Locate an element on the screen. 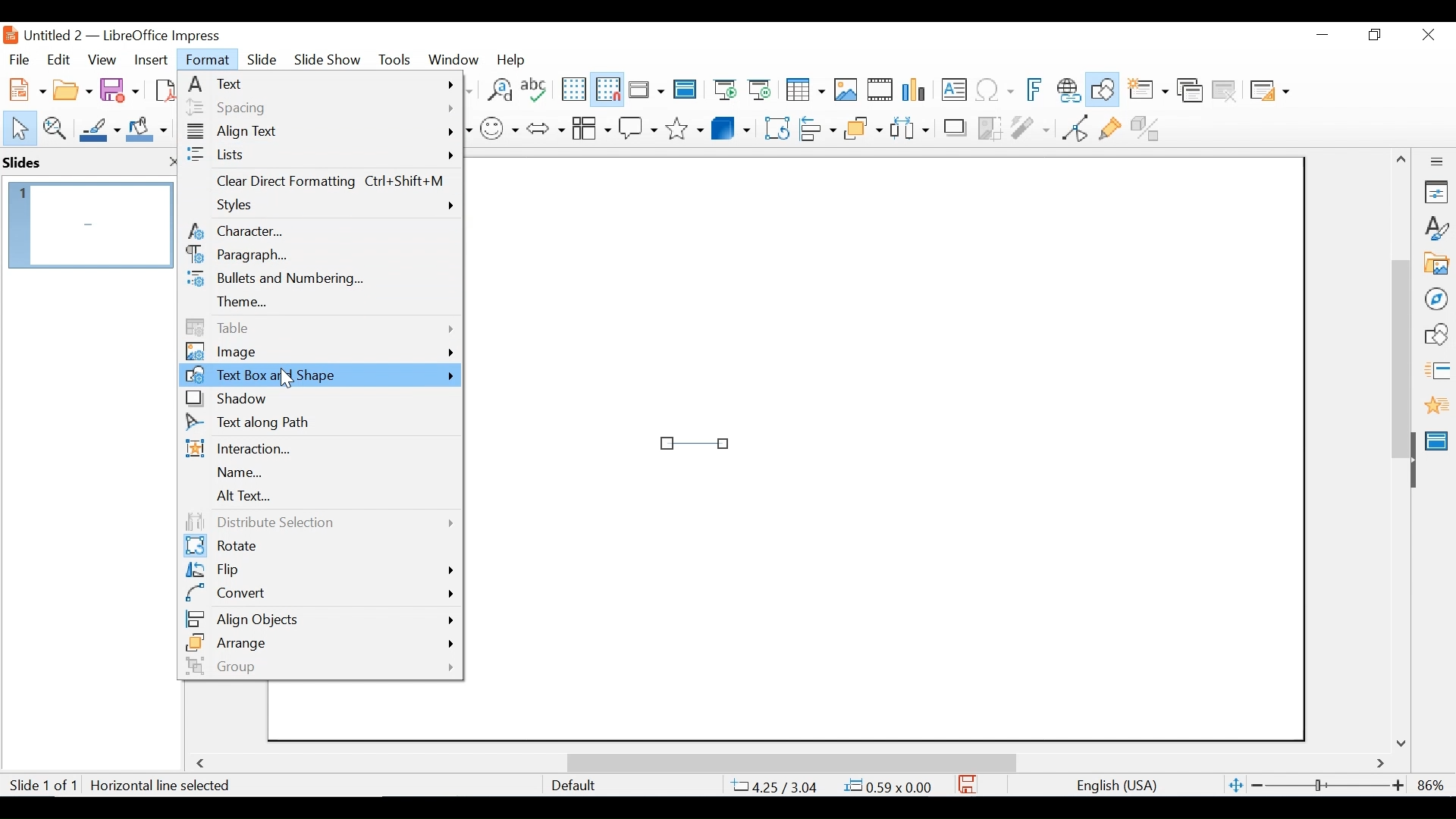 This screenshot has width=1456, height=819. Flip is located at coordinates (318, 571).